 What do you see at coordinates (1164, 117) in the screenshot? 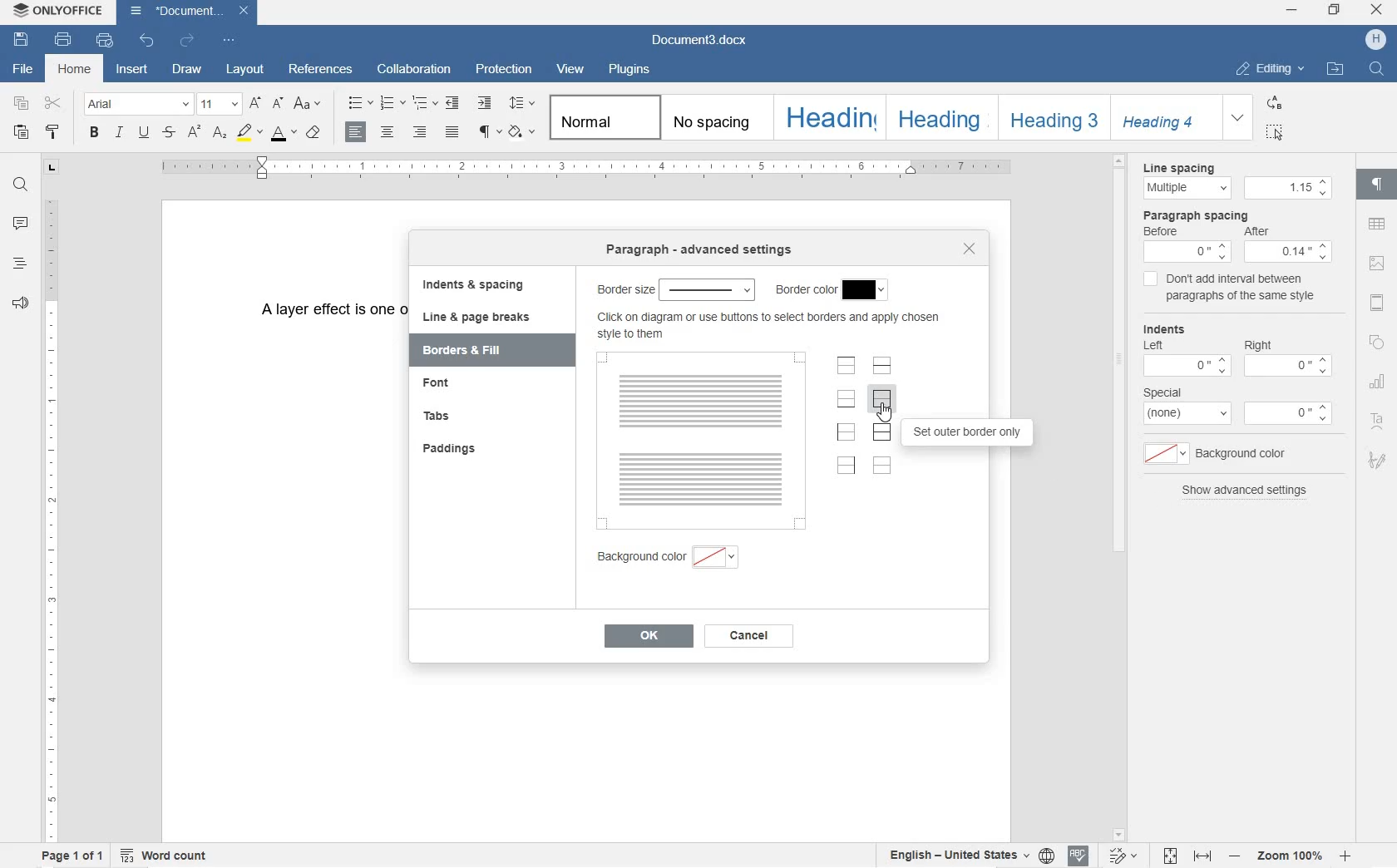
I see `HEADING 4` at bounding box center [1164, 117].